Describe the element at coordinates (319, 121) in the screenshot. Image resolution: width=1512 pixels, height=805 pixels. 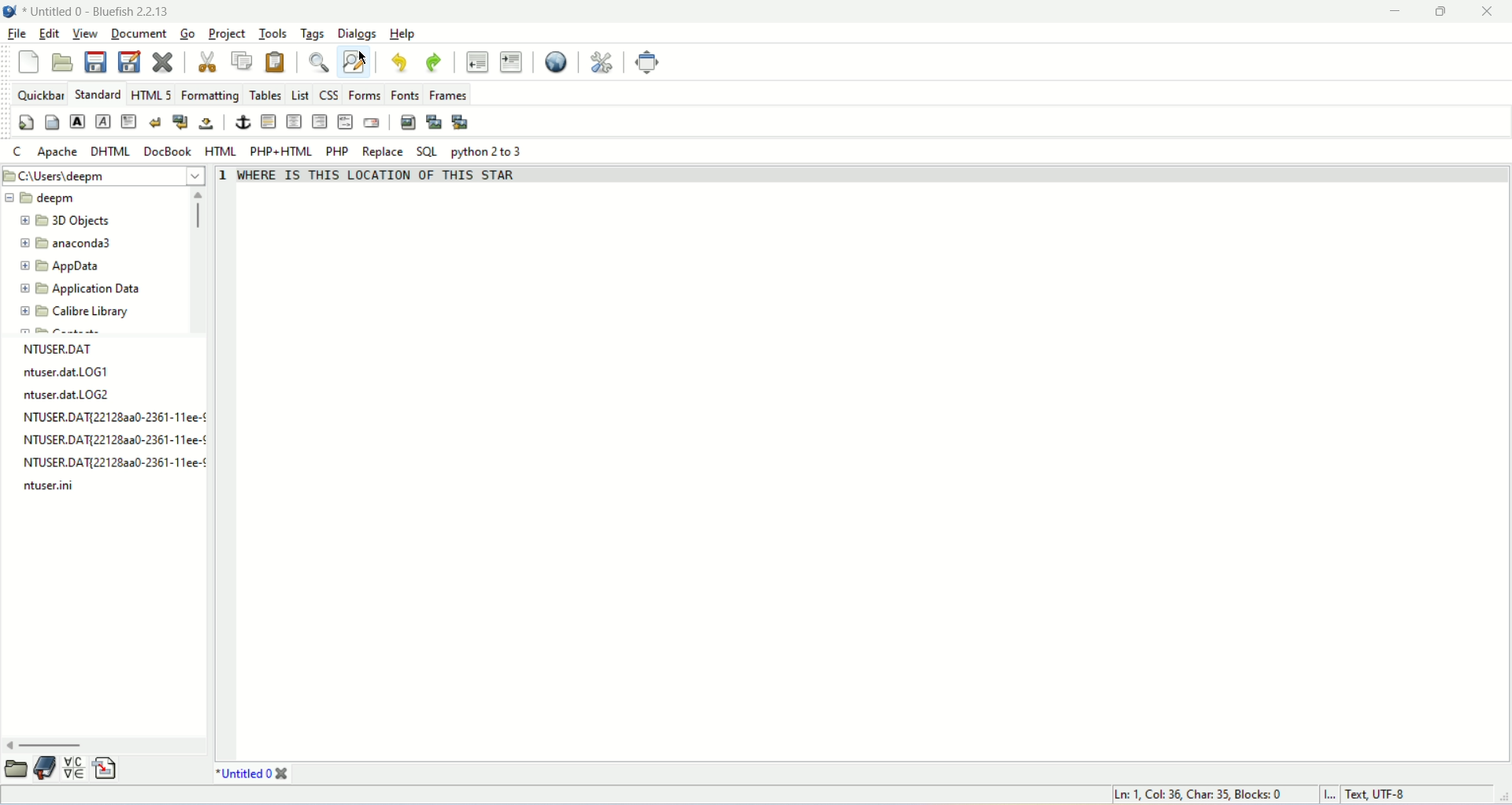
I see `right justify` at that location.